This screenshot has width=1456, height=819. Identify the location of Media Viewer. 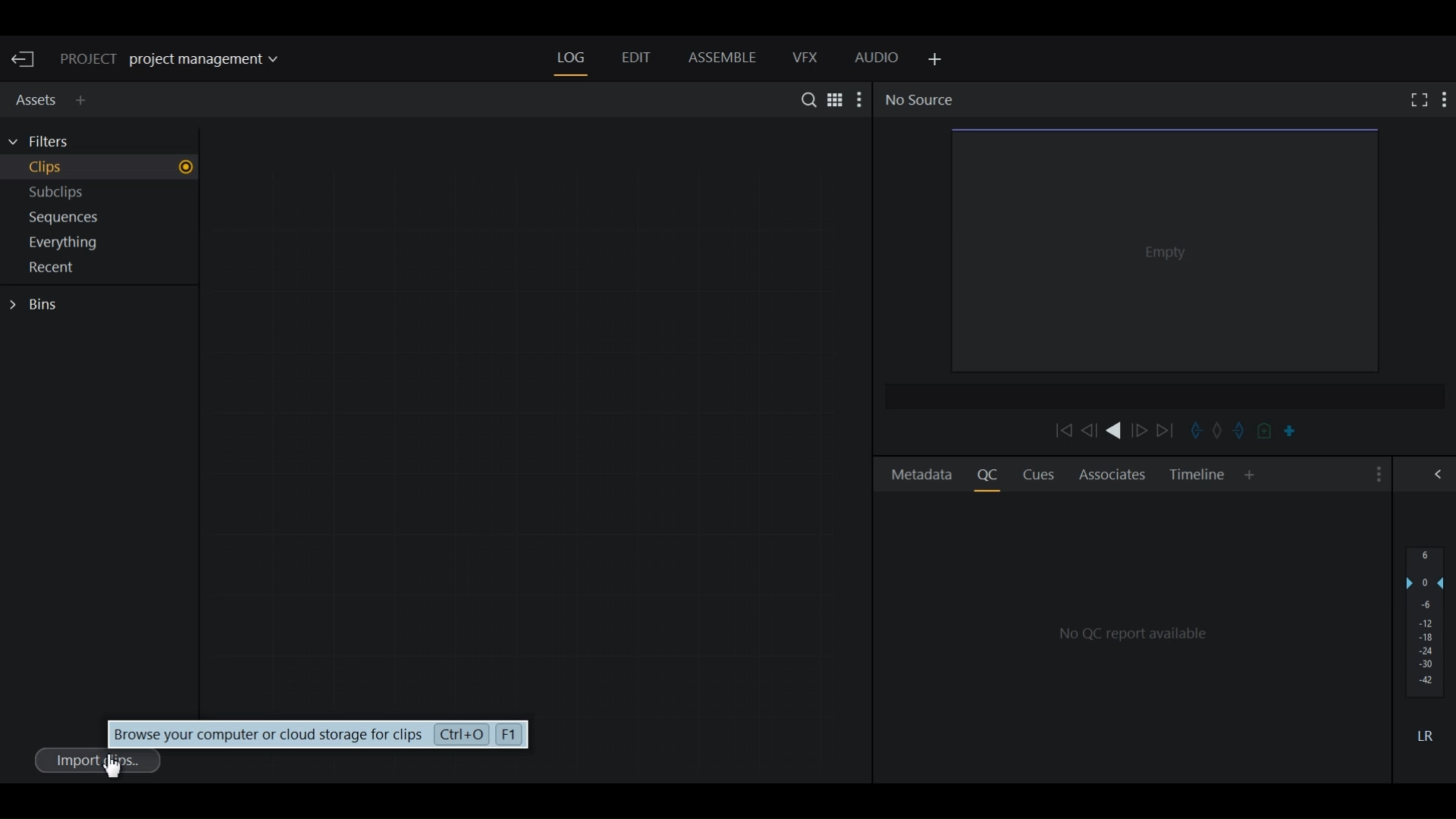
(1164, 249).